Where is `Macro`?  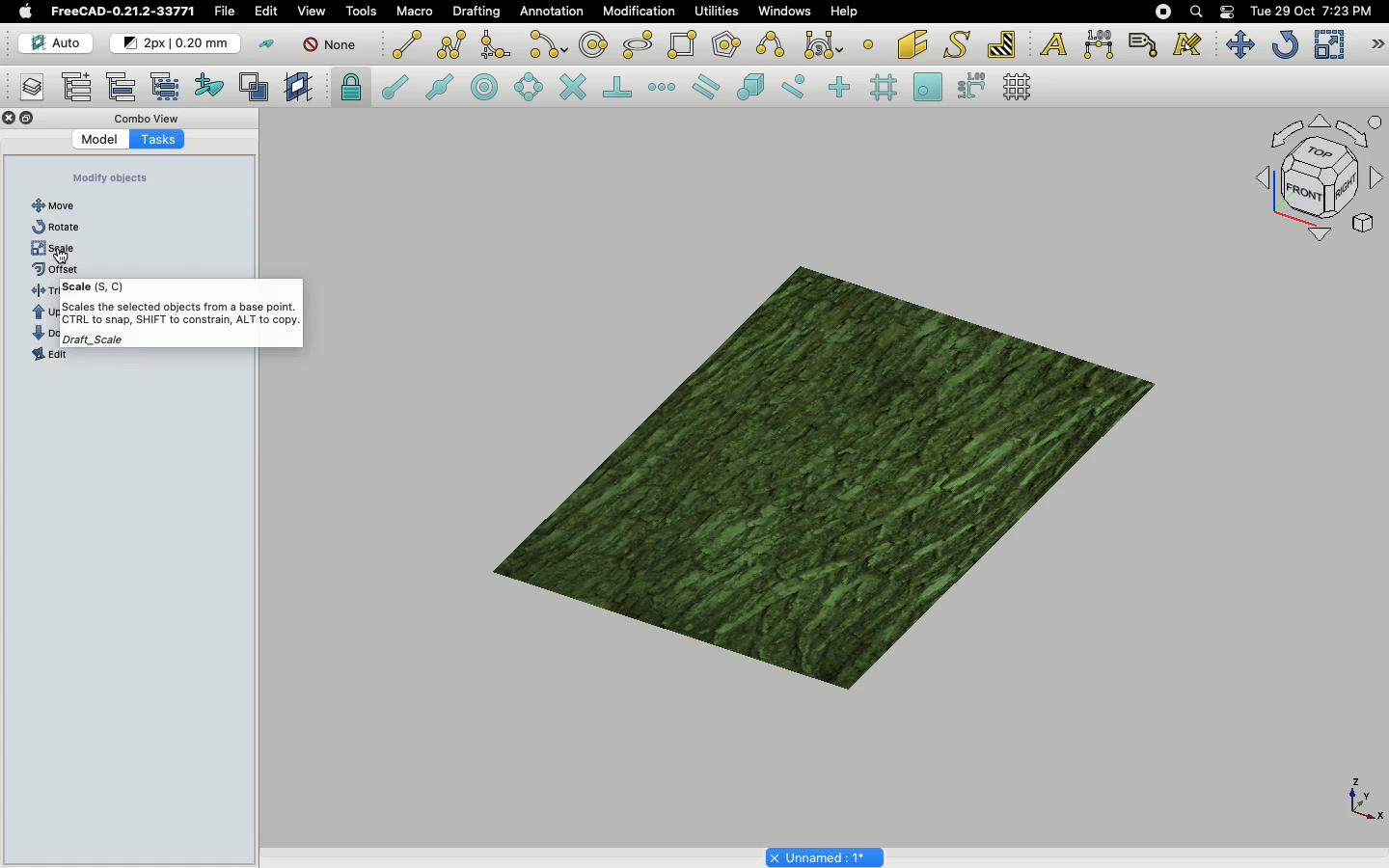 Macro is located at coordinates (416, 12).